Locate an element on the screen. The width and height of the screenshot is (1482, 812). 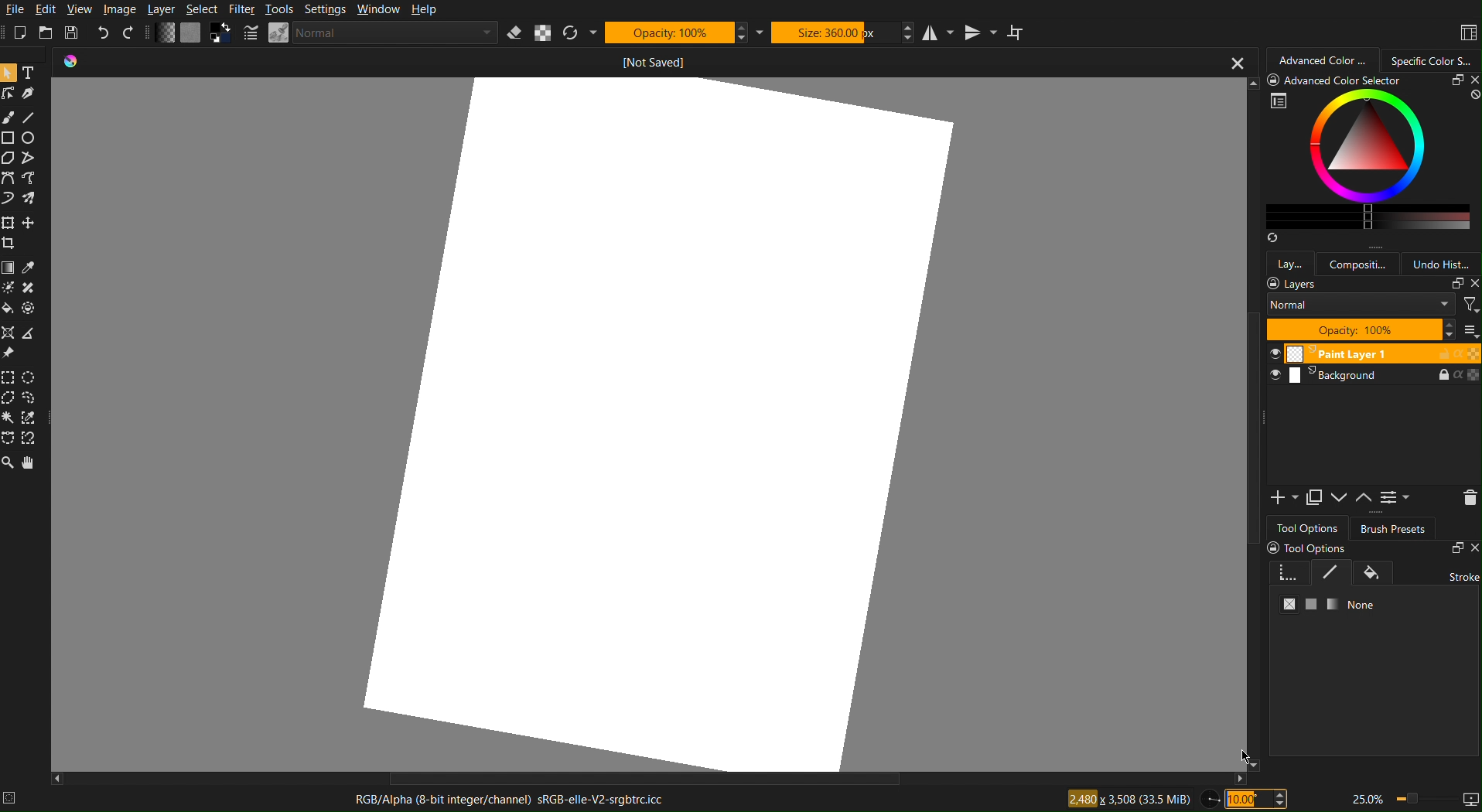
Current Document is located at coordinates (633, 61).